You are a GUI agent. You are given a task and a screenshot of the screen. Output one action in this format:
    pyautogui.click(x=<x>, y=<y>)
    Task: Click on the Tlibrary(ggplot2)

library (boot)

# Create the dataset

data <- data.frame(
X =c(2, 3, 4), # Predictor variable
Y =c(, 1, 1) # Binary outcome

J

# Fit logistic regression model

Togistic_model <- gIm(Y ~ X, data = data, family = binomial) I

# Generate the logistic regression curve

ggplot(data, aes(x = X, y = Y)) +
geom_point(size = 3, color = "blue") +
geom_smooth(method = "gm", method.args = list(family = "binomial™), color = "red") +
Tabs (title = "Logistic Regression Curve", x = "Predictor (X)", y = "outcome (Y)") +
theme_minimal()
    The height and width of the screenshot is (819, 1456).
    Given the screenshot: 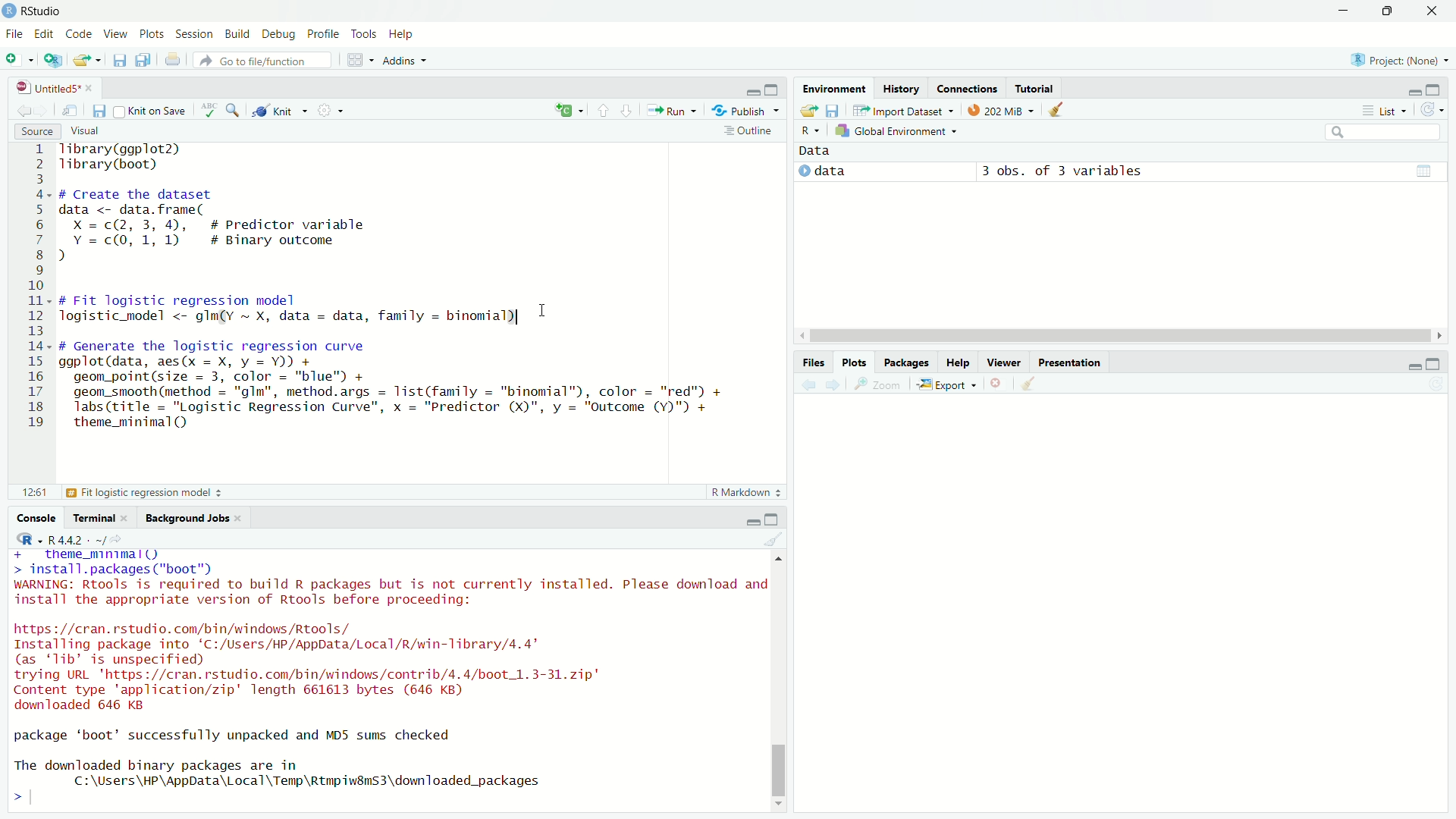 What is the action you would take?
    pyautogui.click(x=393, y=293)
    